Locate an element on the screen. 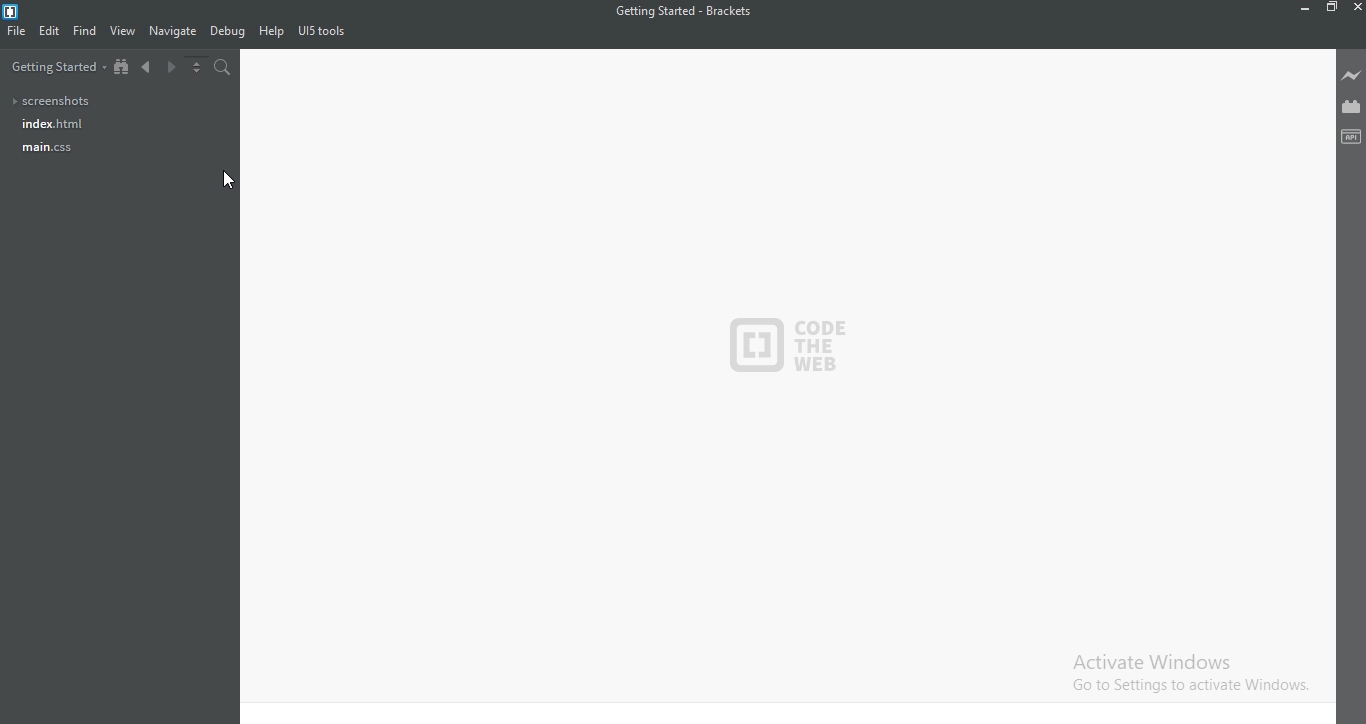  Next document is located at coordinates (173, 69).